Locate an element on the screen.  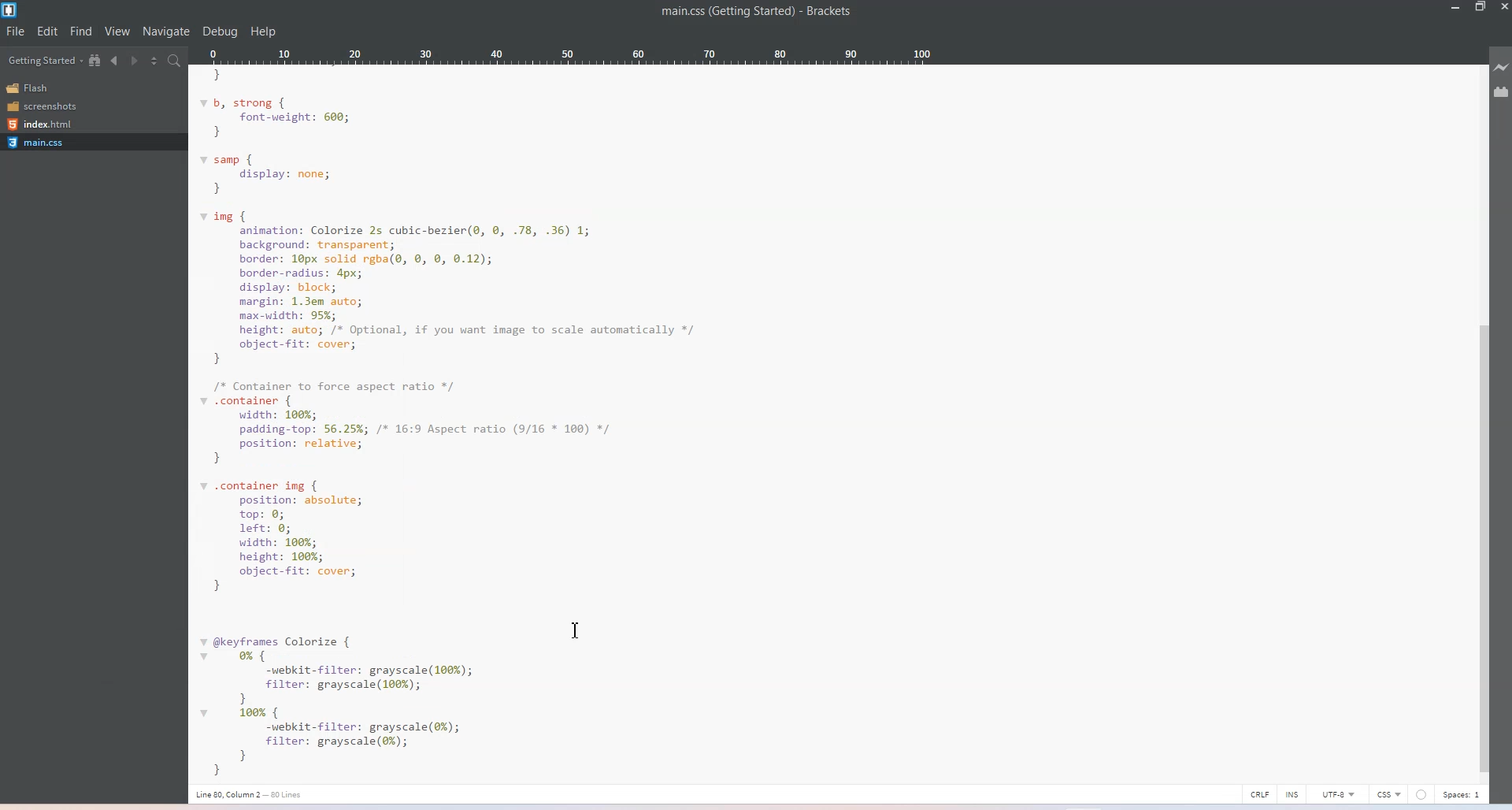
Text 1 is located at coordinates (758, 14).